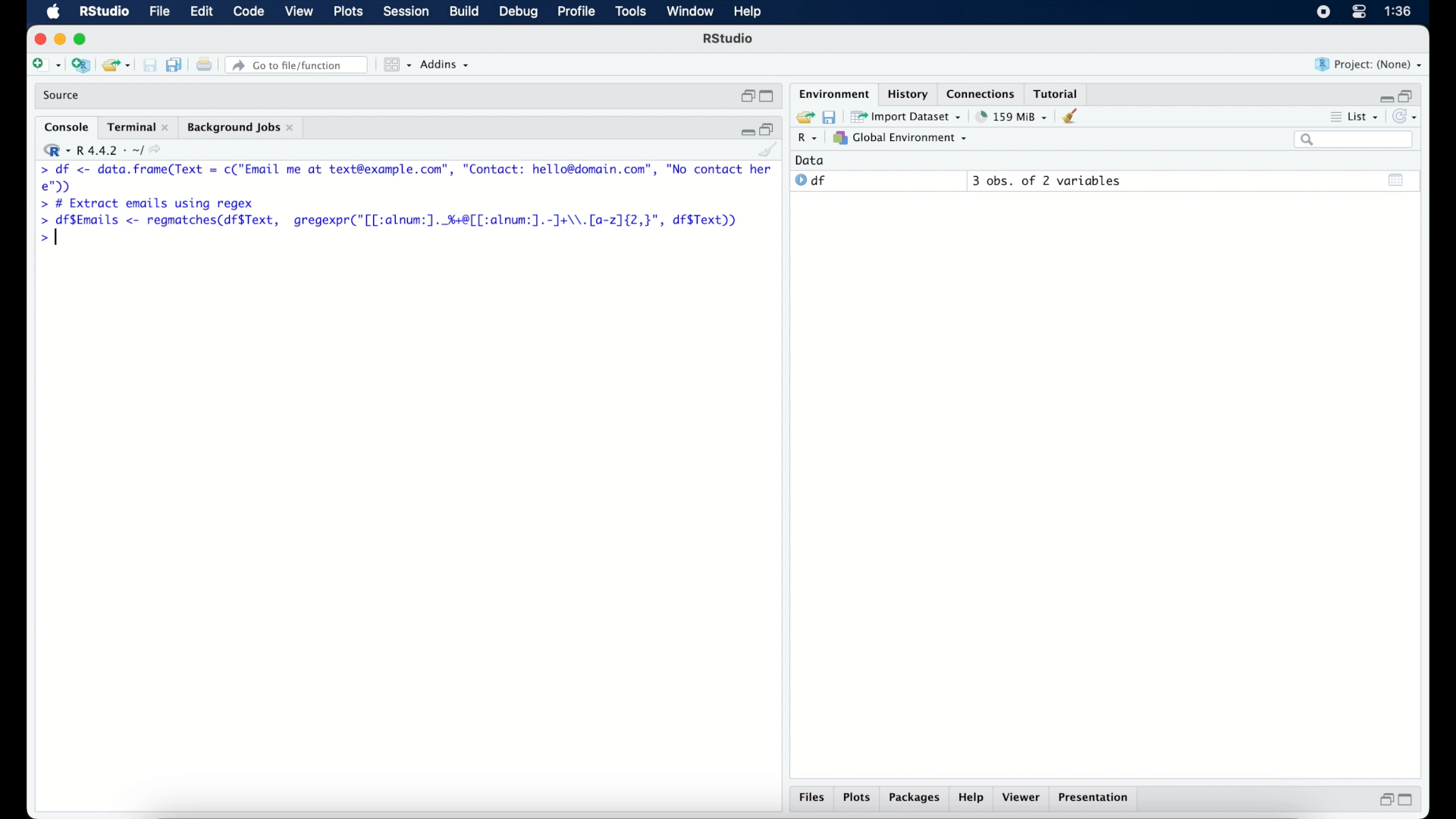 The height and width of the screenshot is (819, 1456). I want to click on minimize, so click(1386, 96).